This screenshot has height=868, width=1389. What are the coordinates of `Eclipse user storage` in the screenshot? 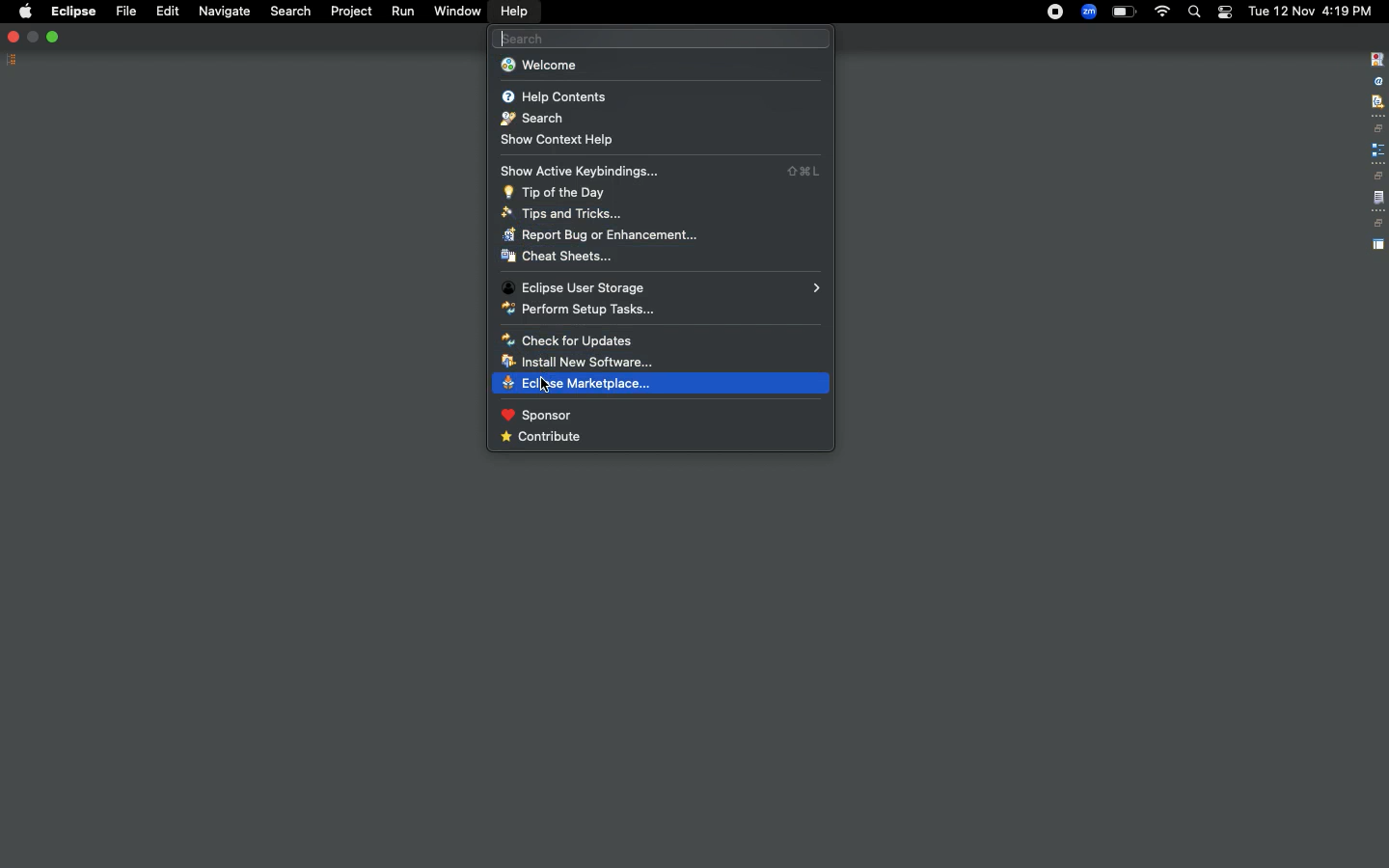 It's located at (662, 288).